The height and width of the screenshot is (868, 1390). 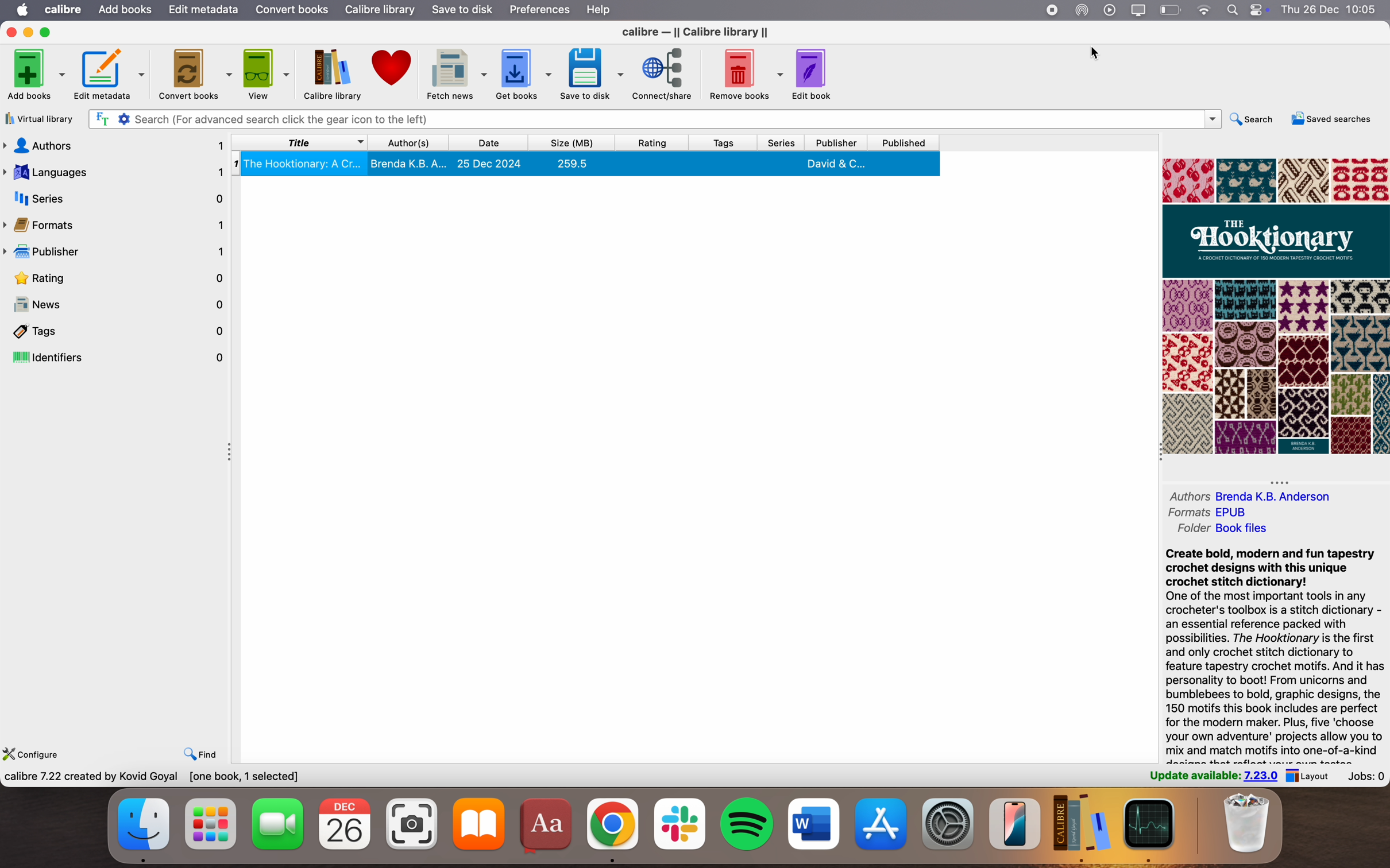 What do you see at coordinates (679, 821) in the screenshot?
I see `Slack` at bounding box center [679, 821].